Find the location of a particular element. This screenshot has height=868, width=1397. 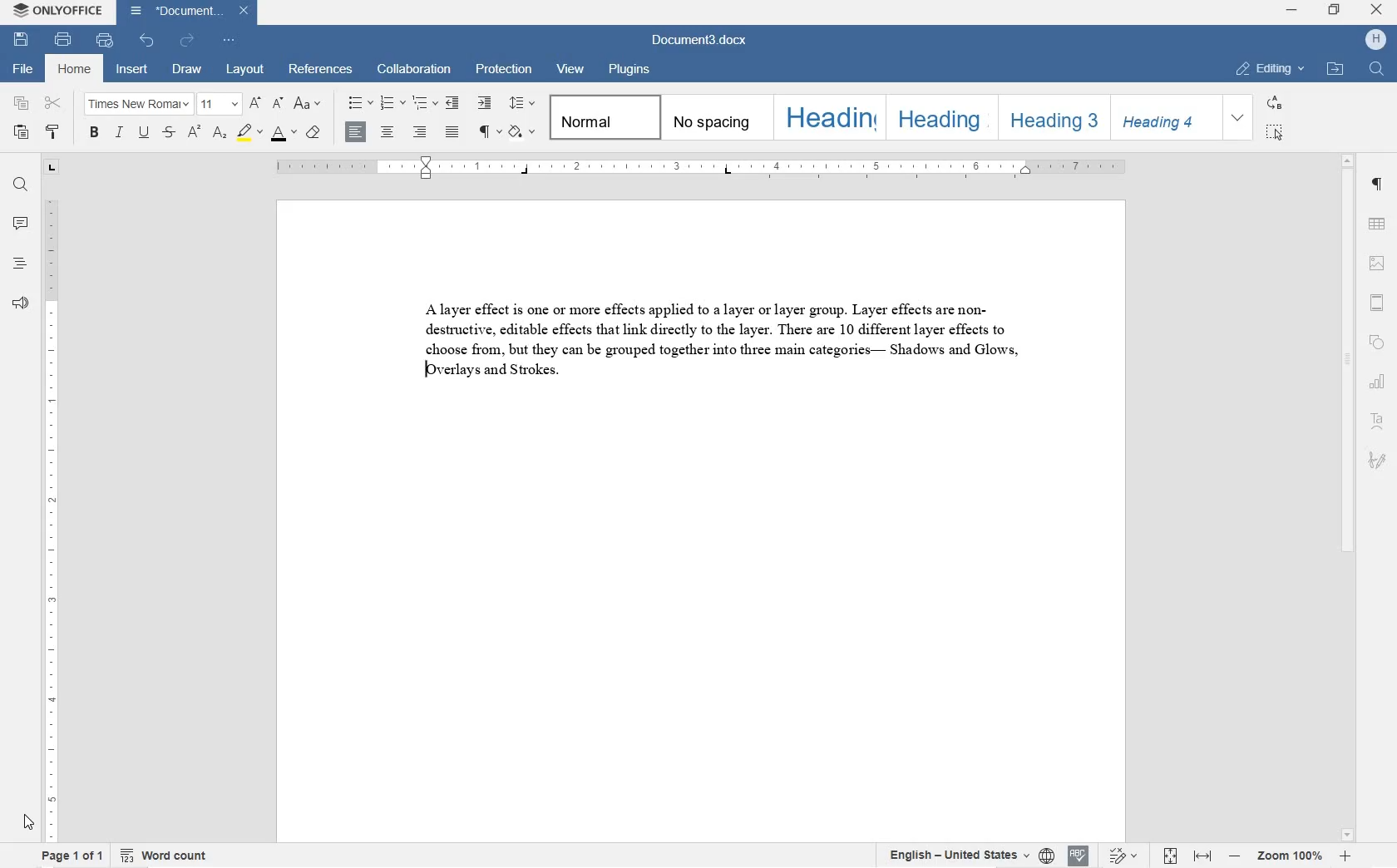

feedback & support is located at coordinates (22, 303).